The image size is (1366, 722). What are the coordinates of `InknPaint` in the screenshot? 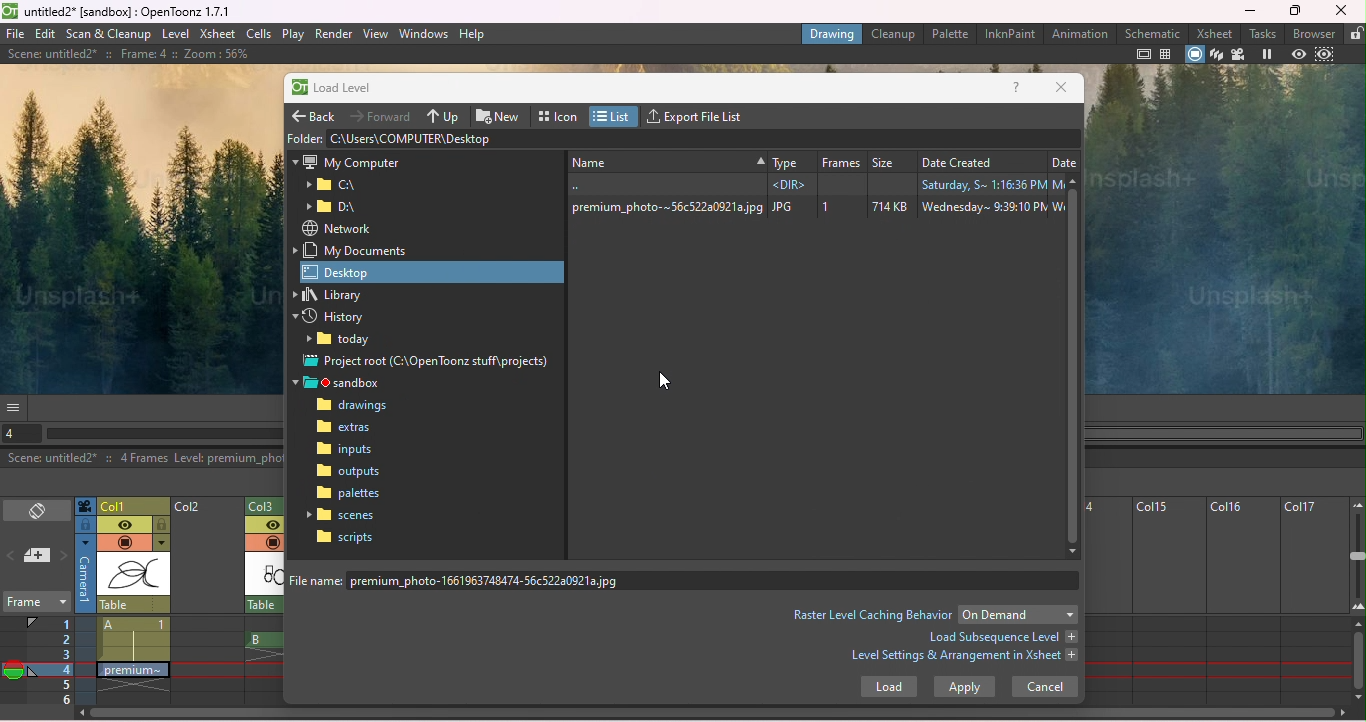 It's located at (1009, 34).